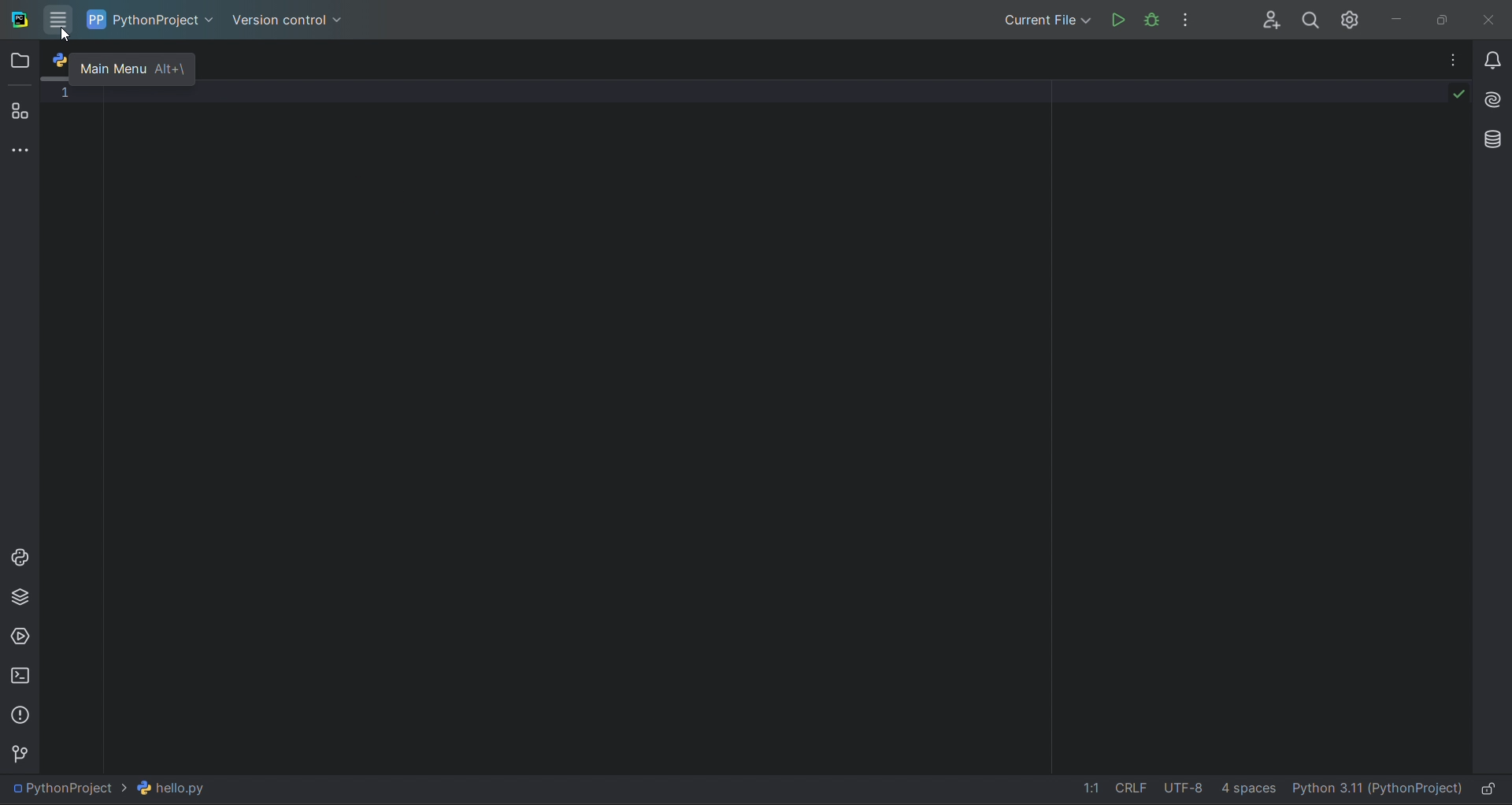 This screenshot has height=805, width=1512. What do you see at coordinates (1489, 54) in the screenshot?
I see `notifications` at bounding box center [1489, 54].